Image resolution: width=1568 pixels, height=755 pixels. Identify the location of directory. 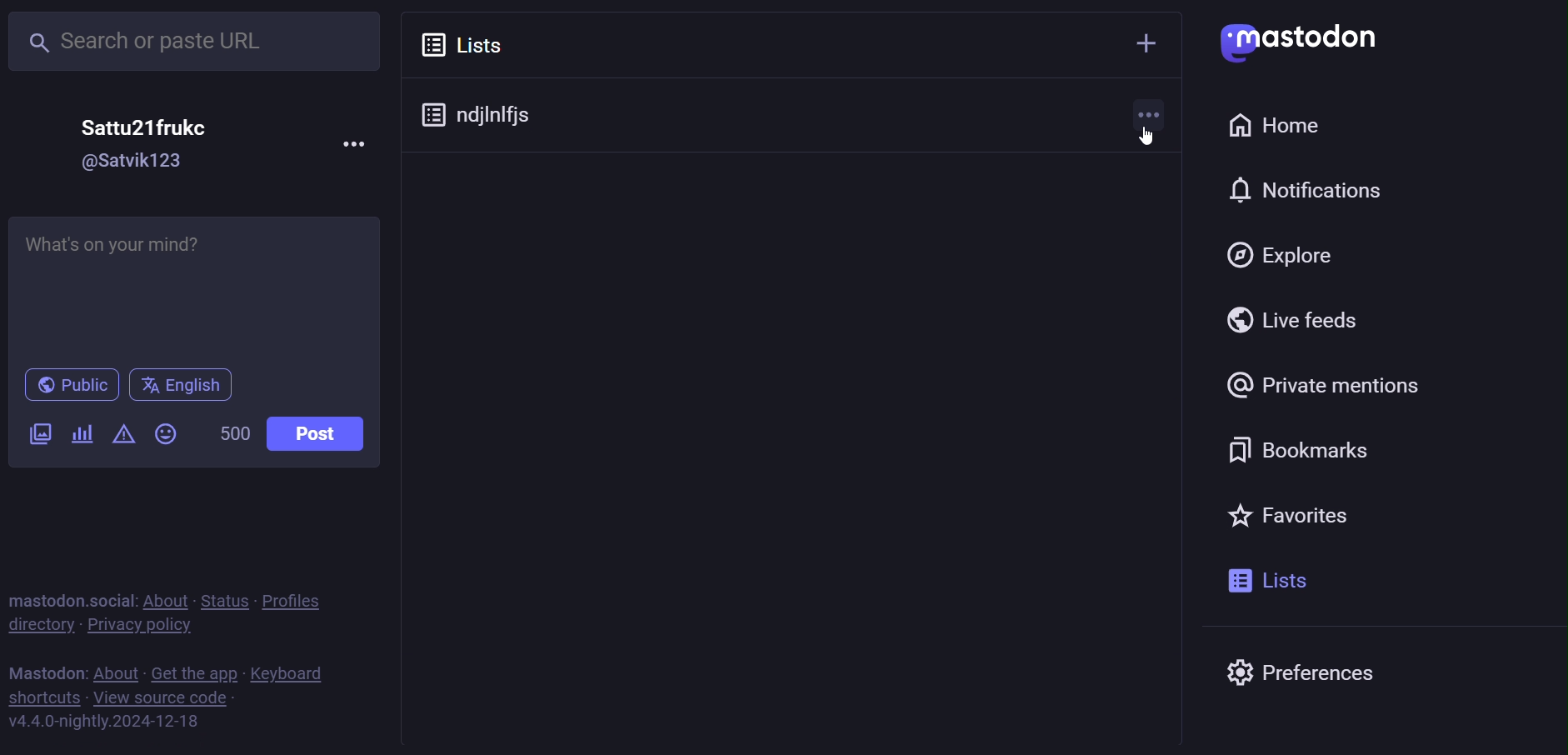
(39, 623).